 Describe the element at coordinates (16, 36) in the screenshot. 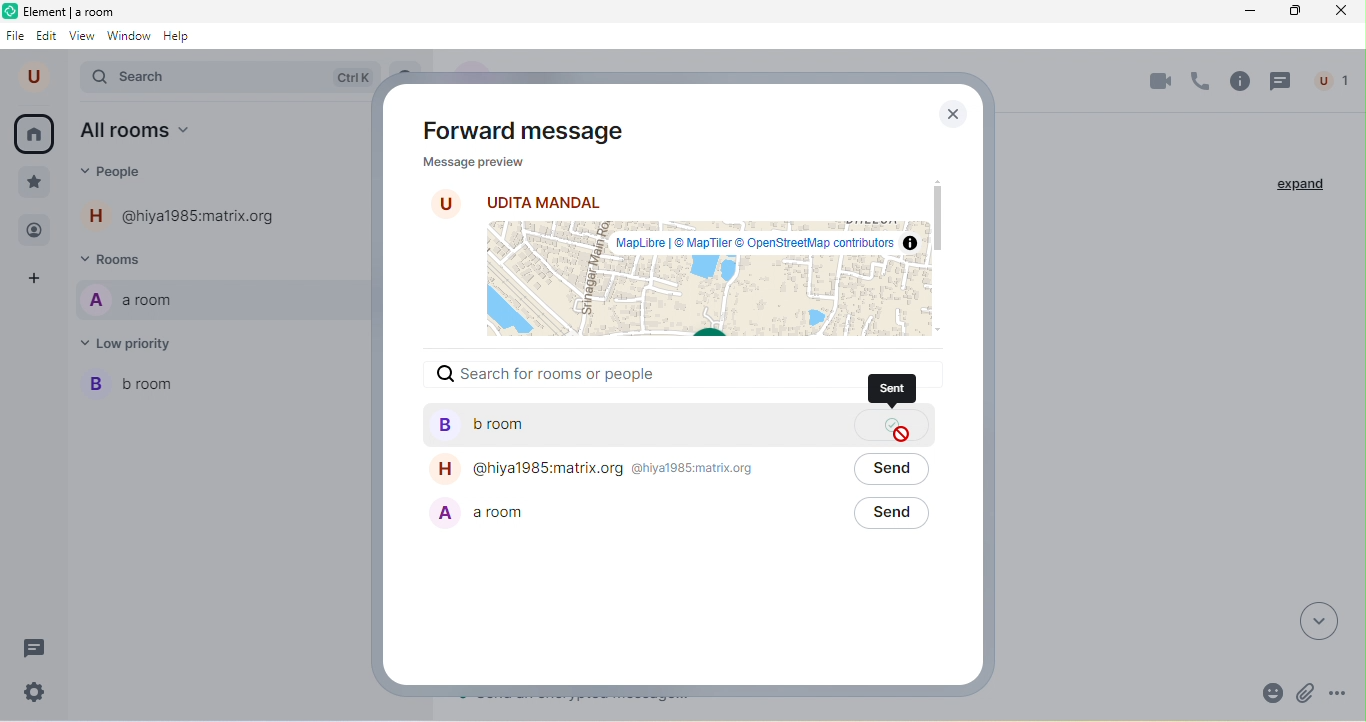

I see `file` at that location.